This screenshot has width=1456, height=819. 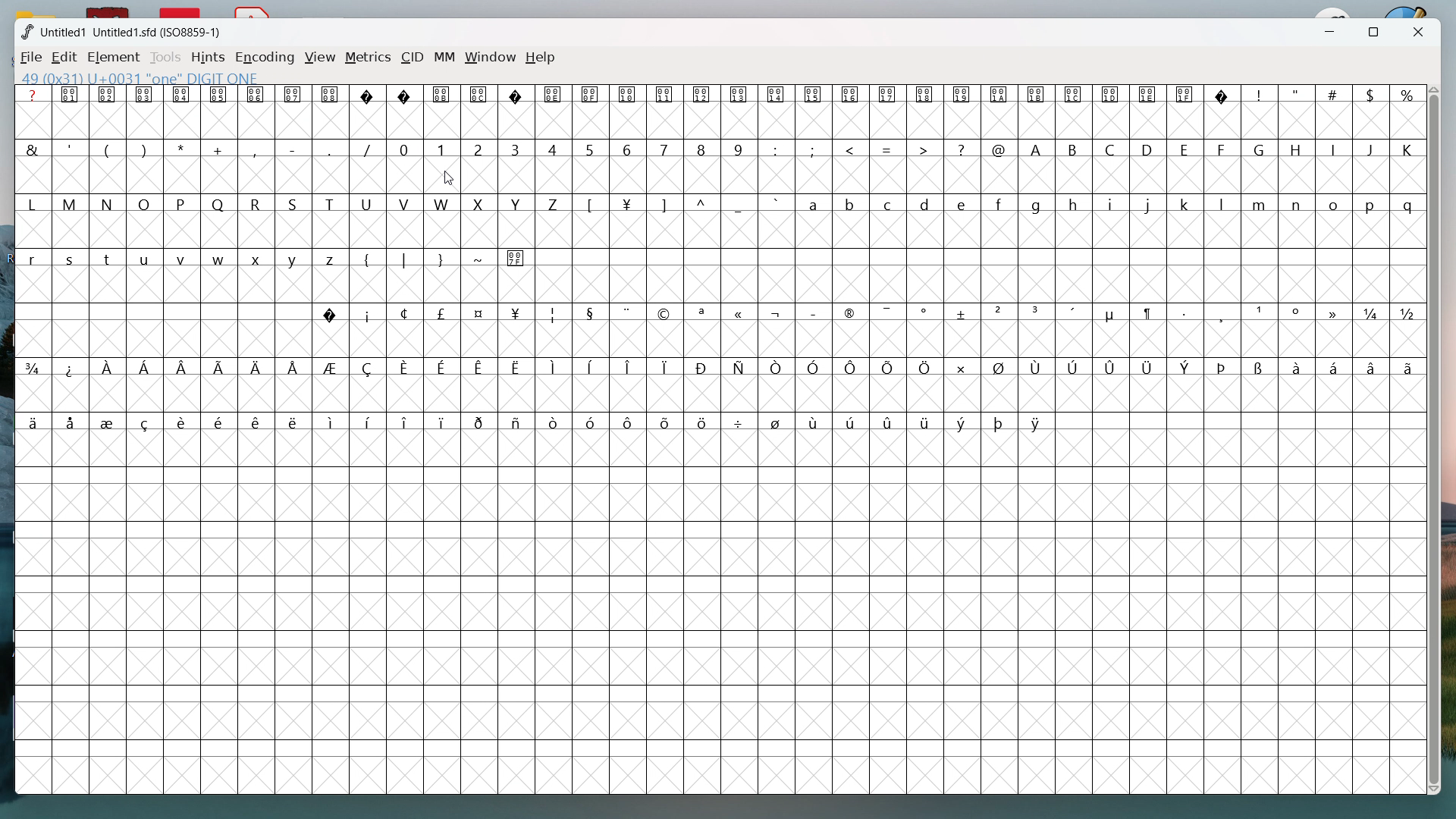 I want to click on symbol, so click(x=1075, y=95).